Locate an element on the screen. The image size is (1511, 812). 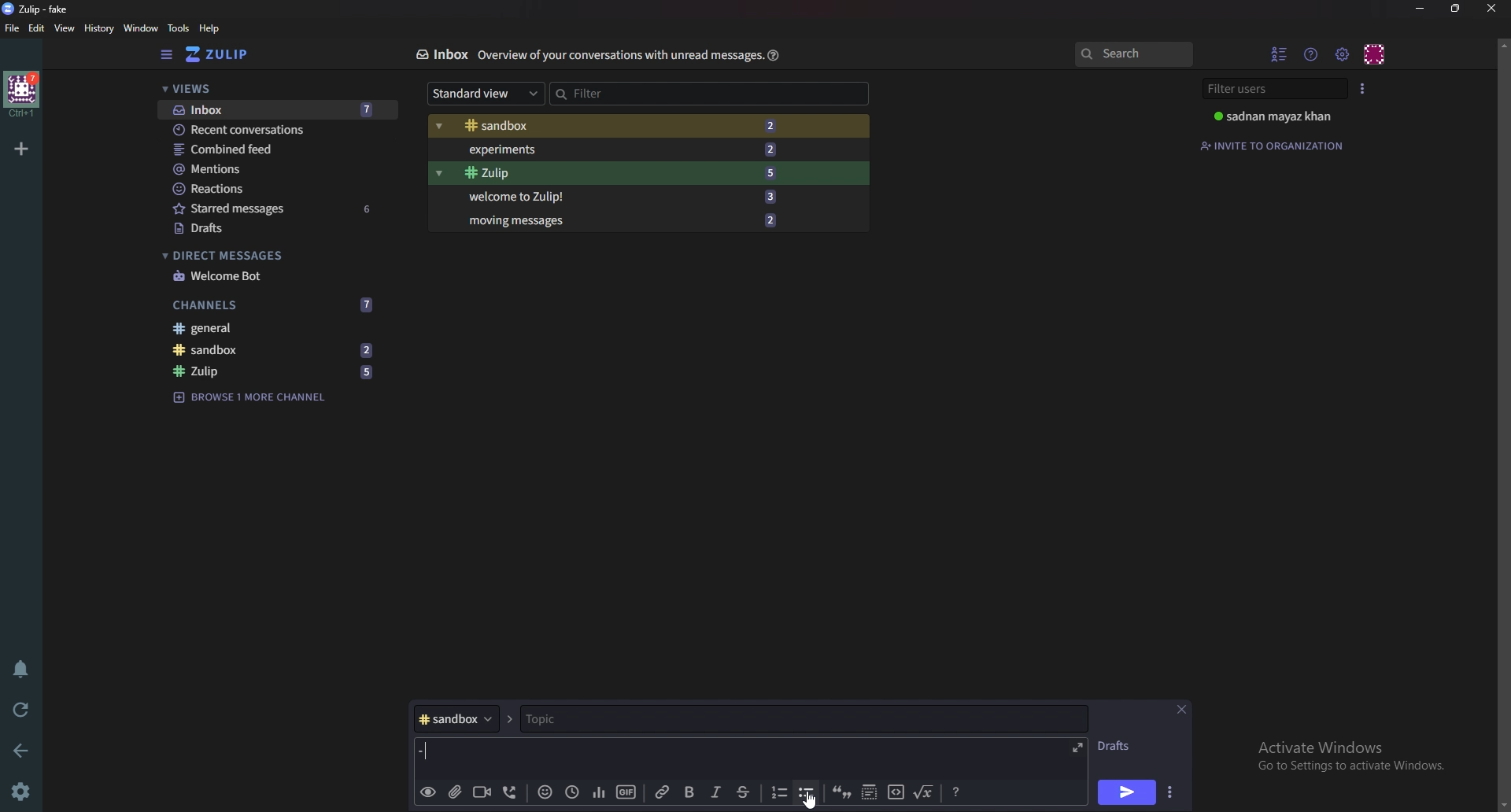
File is located at coordinates (13, 28).